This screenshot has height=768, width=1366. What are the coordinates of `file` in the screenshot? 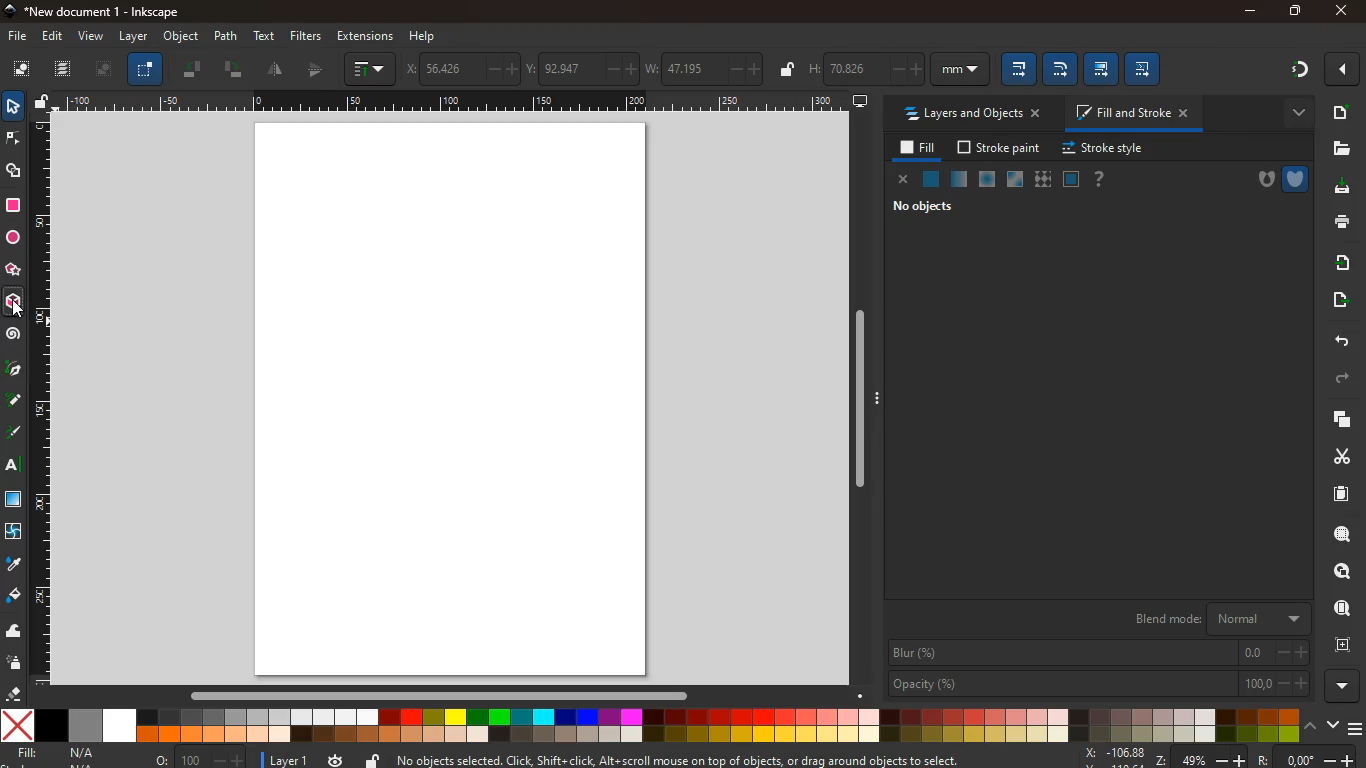 It's located at (16, 35).